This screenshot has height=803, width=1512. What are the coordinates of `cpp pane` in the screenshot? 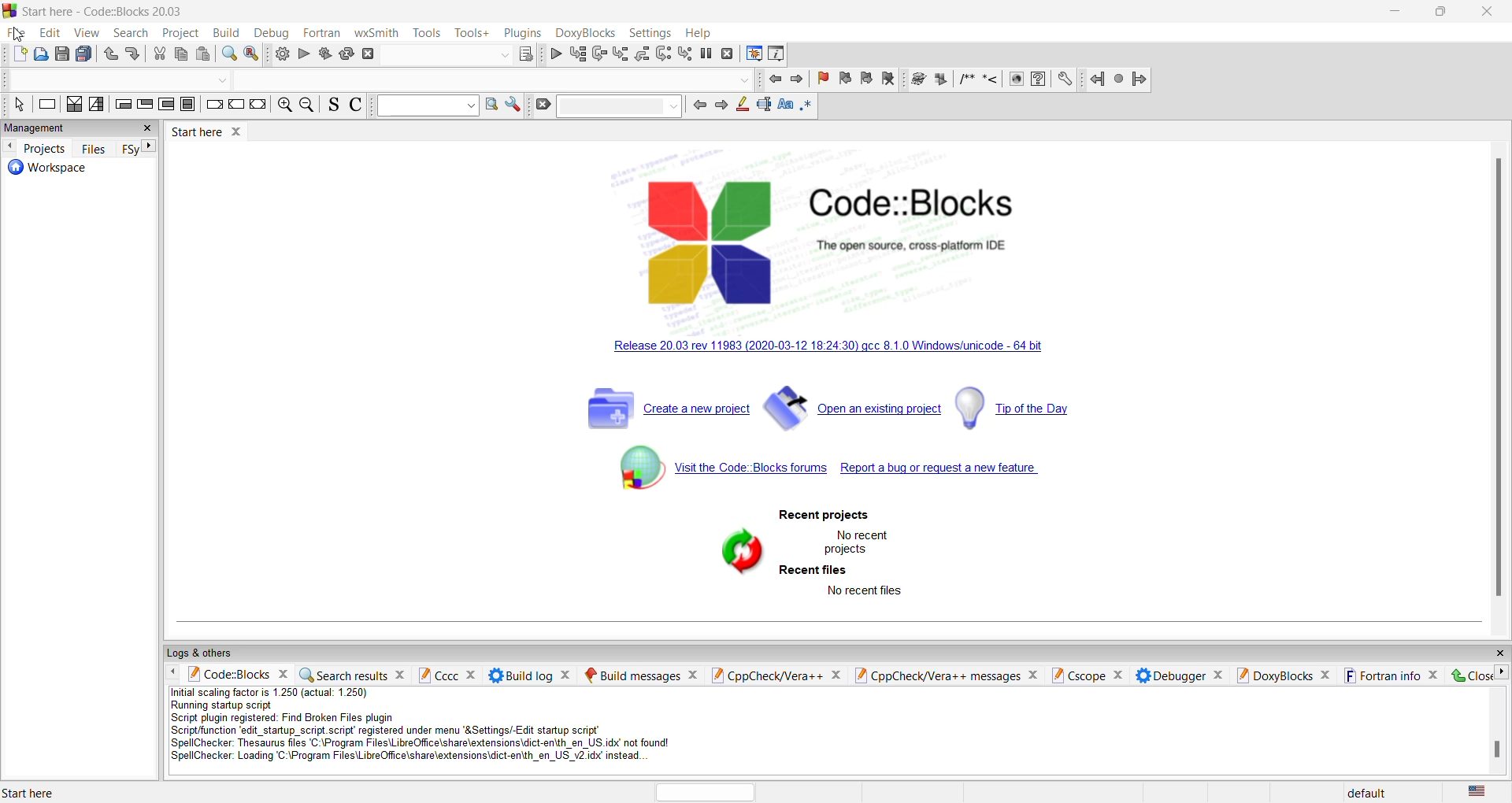 It's located at (769, 675).